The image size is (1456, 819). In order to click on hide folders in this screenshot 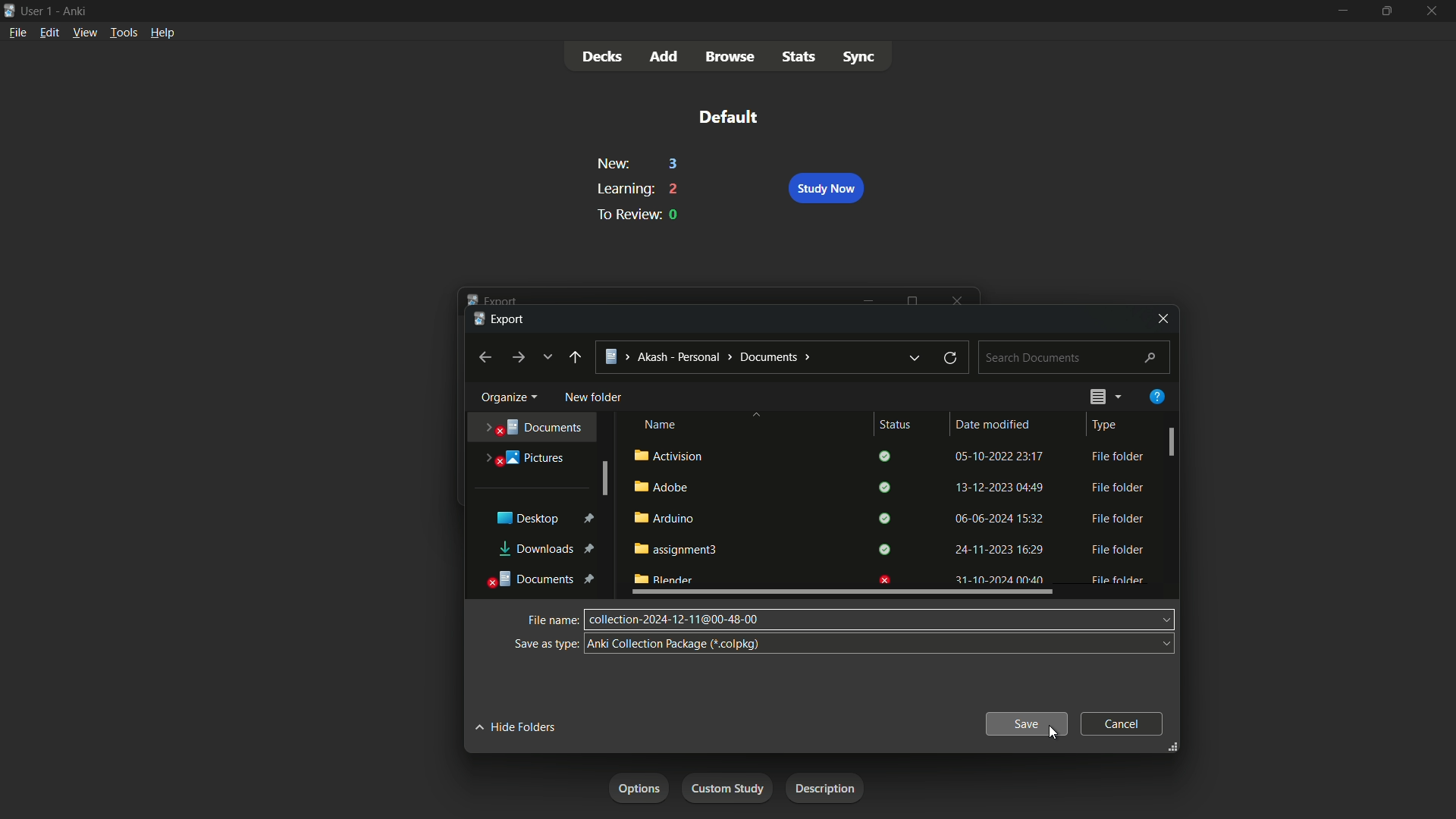, I will do `click(515, 726)`.